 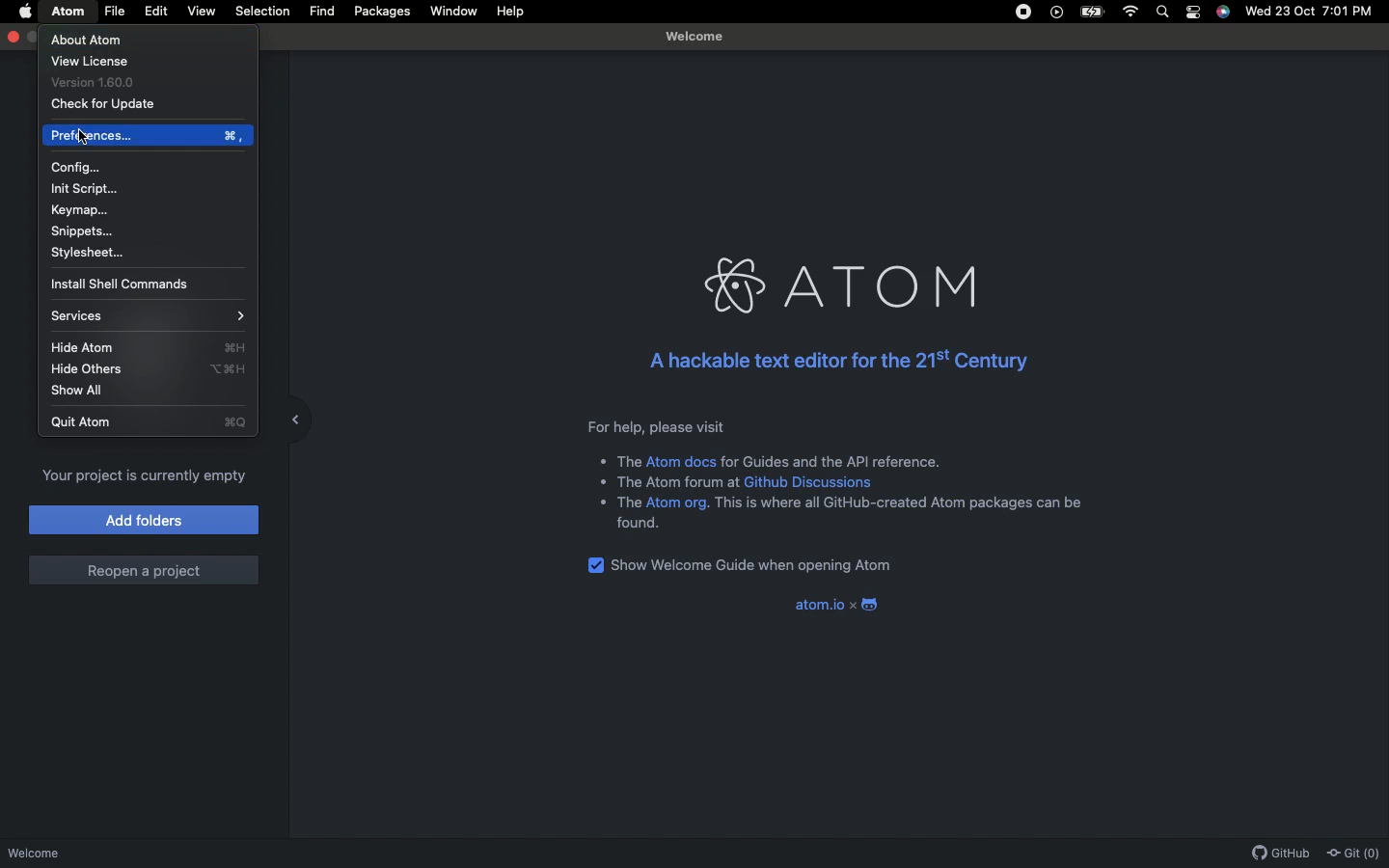 What do you see at coordinates (1276, 854) in the screenshot?
I see `GitHub` at bounding box center [1276, 854].